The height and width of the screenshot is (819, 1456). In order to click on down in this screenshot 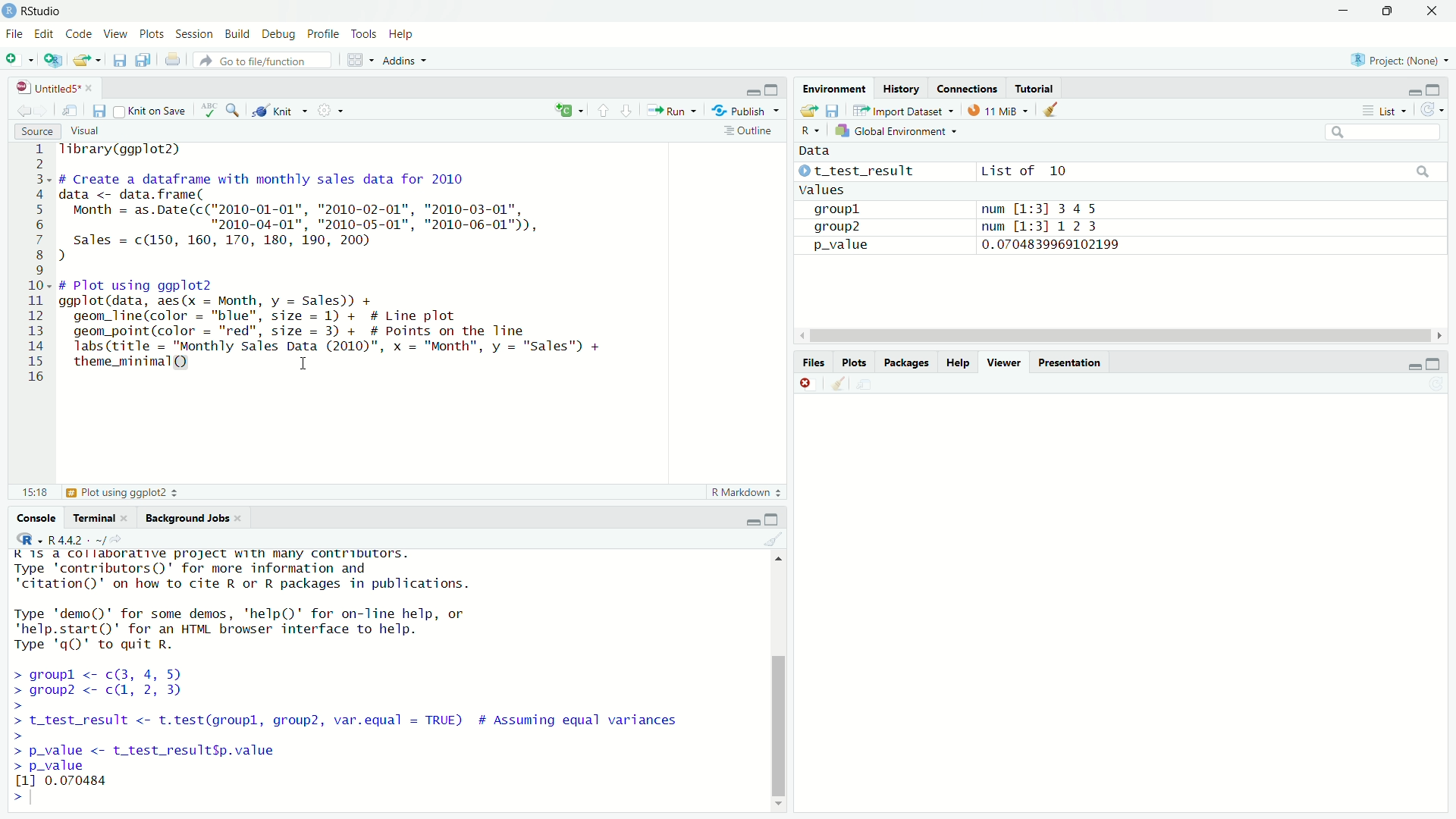, I will do `click(1391, 12)`.